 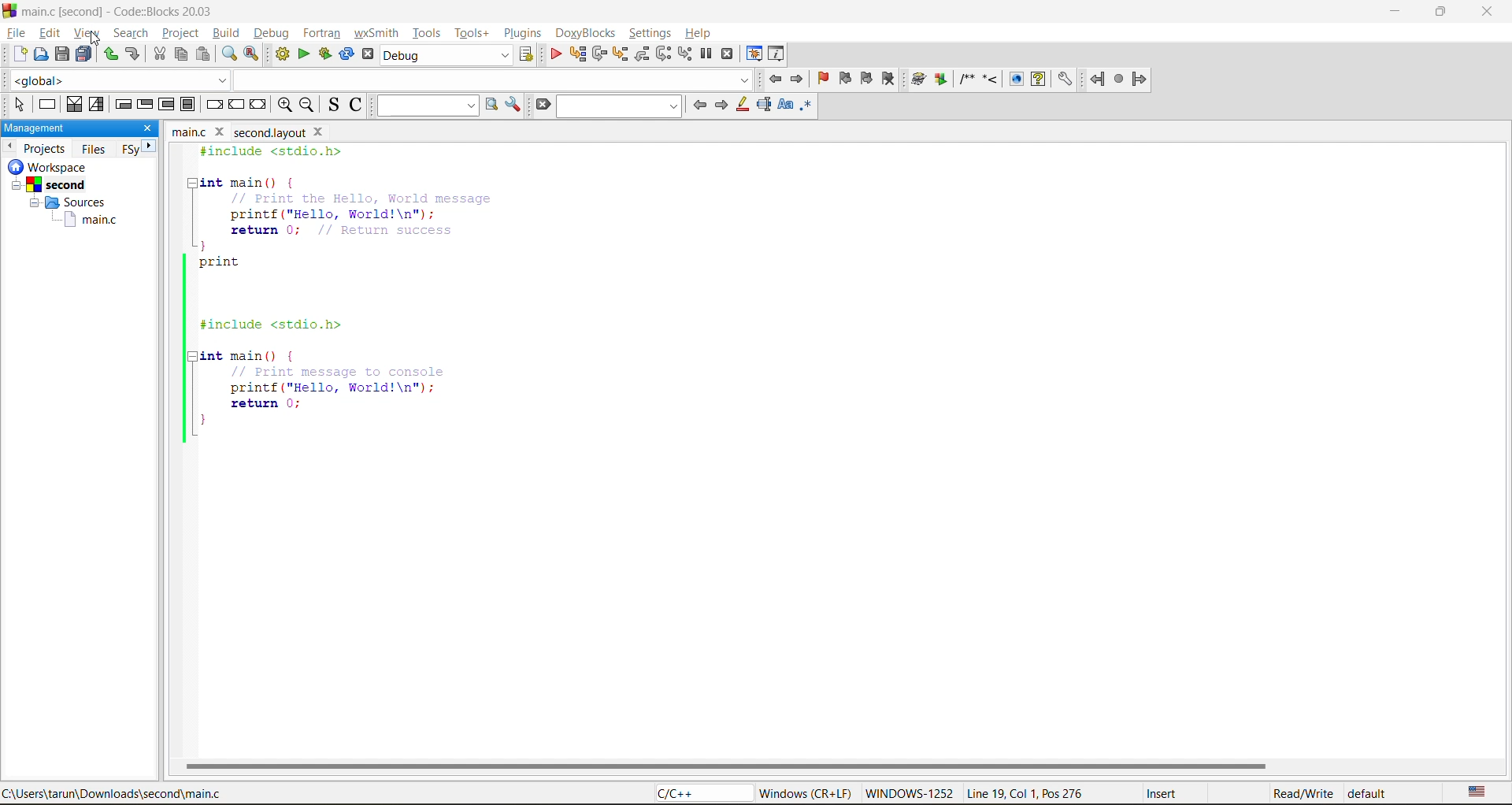 I want to click on cut, so click(x=159, y=54).